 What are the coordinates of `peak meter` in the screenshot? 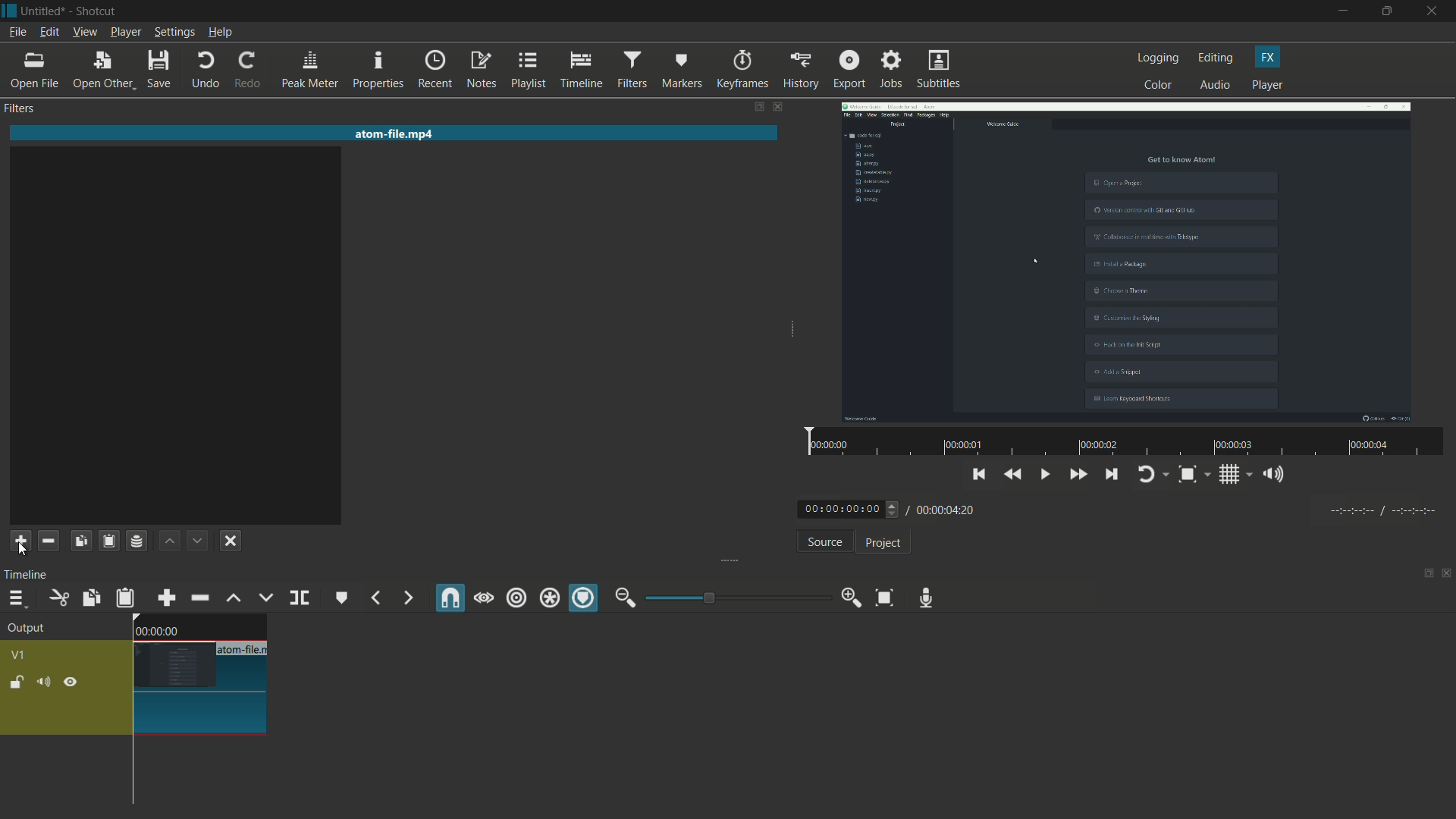 It's located at (309, 70).